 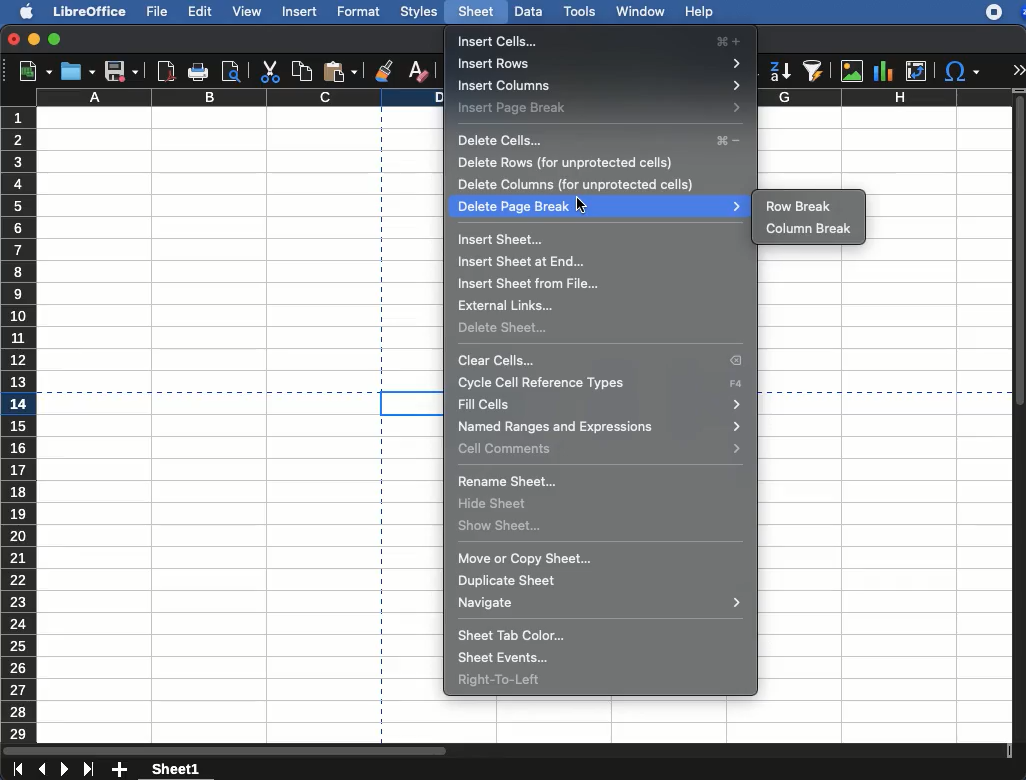 I want to click on pivot table, so click(x=919, y=69).